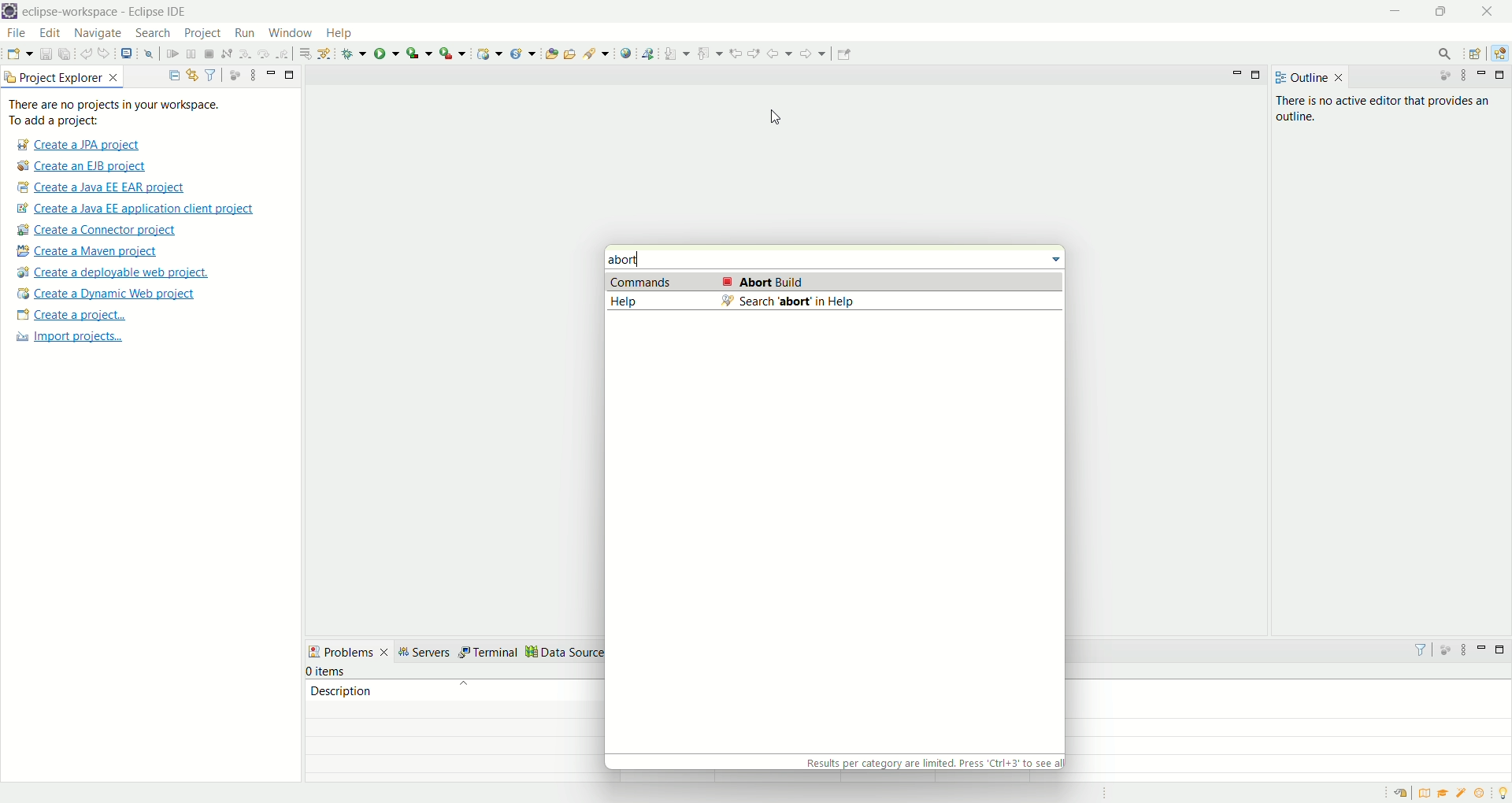 This screenshot has height=803, width=1512. I want to click on debug, so click(354, 54).